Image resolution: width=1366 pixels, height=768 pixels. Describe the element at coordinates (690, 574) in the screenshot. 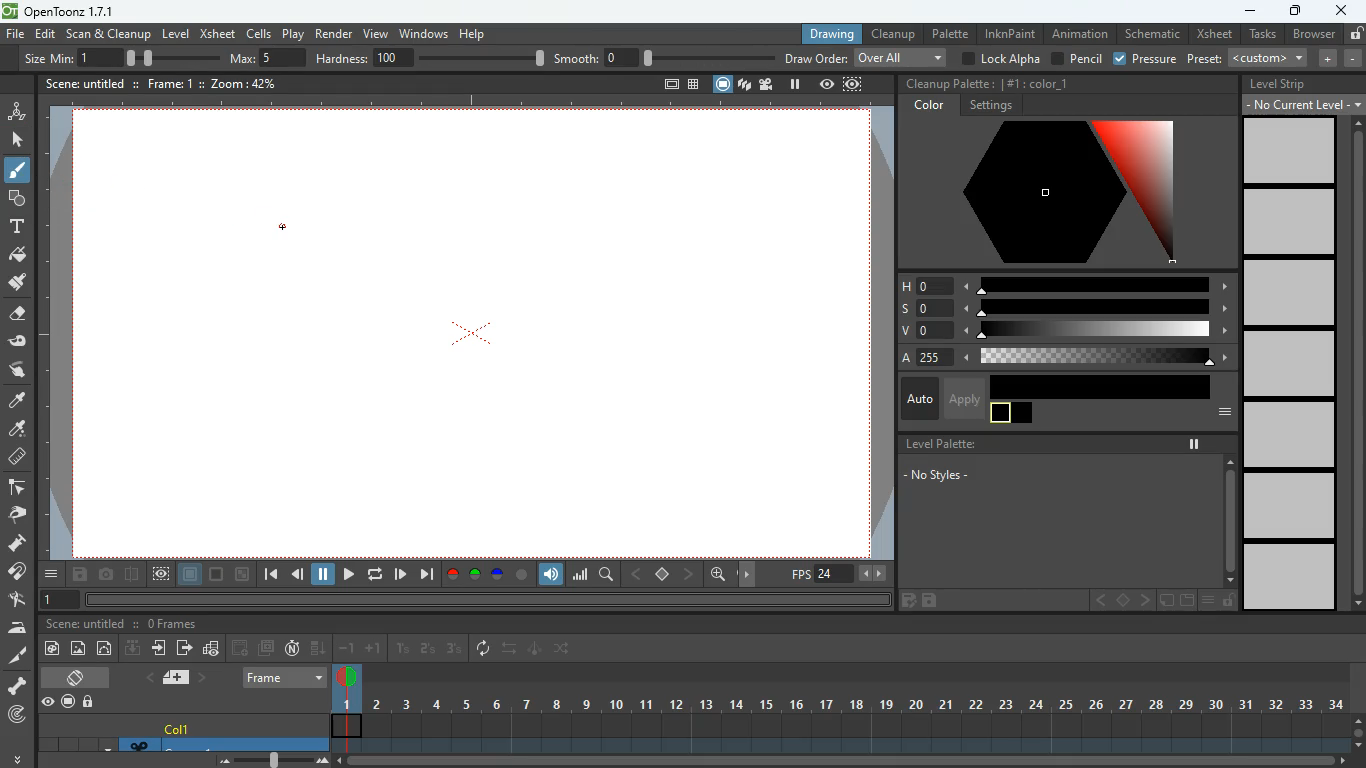

I see `right` at that location.